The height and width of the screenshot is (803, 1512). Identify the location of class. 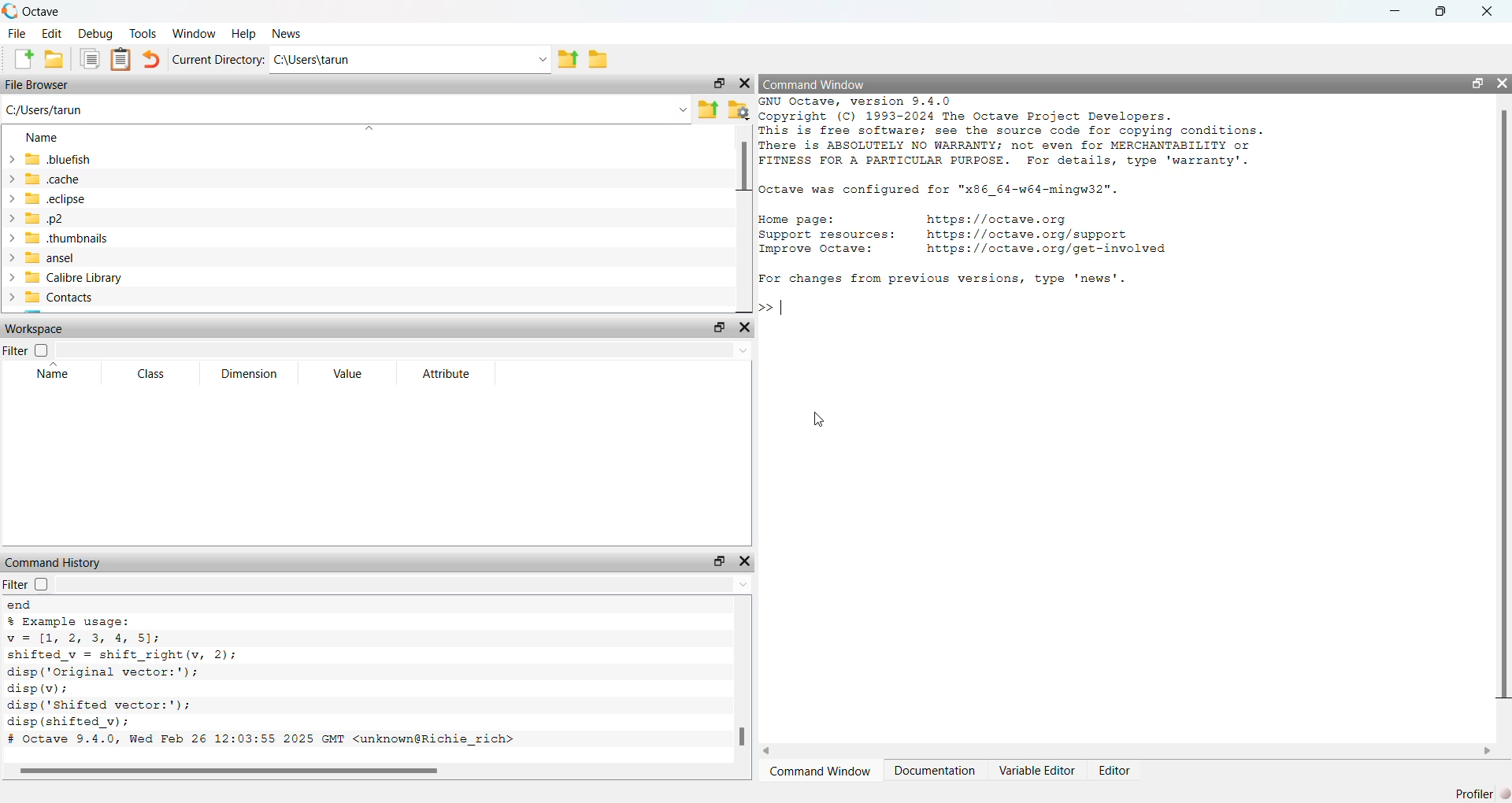
(148, 375).